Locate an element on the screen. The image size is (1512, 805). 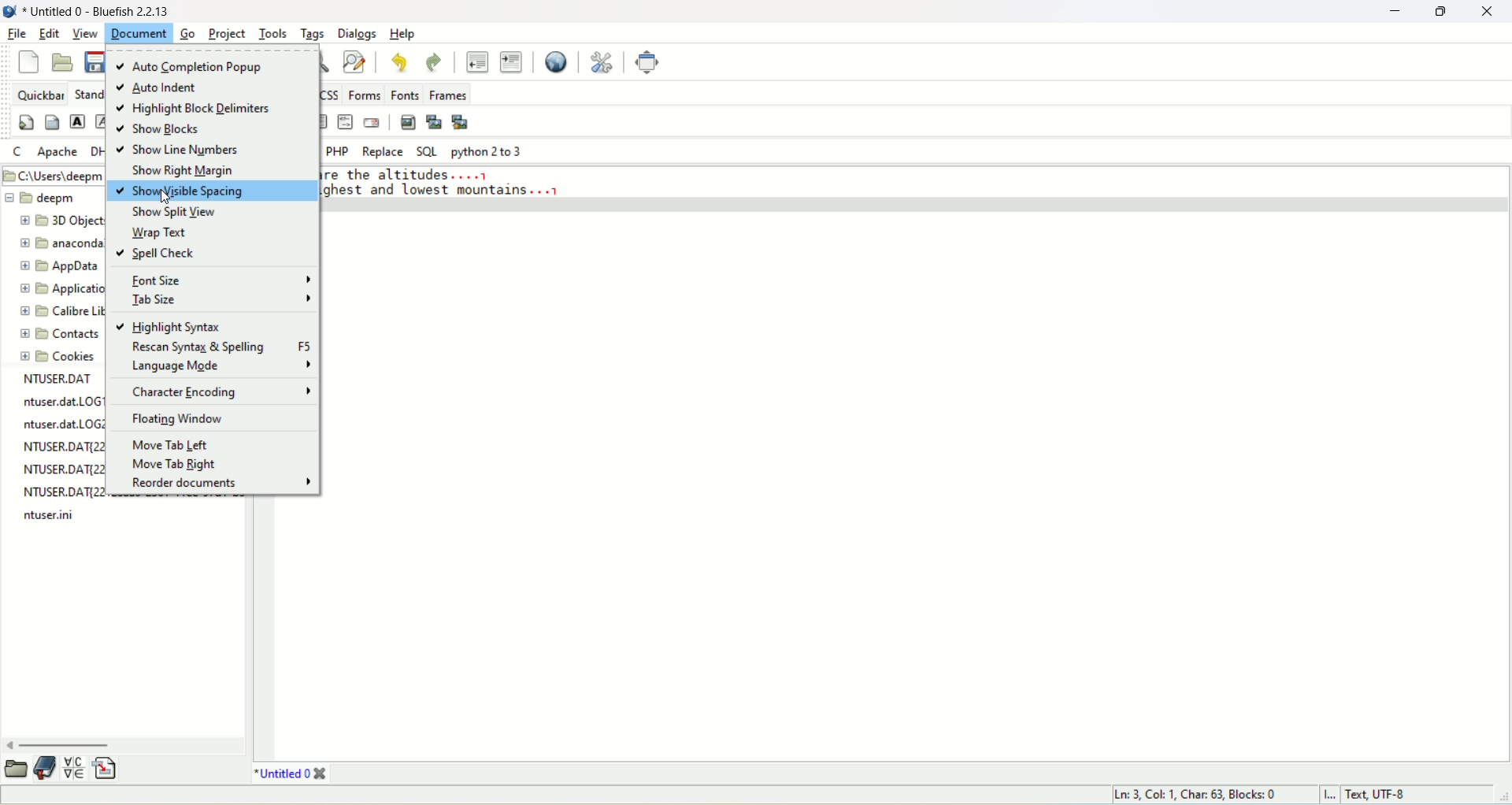
ln, col, char, blocks is located at coordinates (1197, 795).